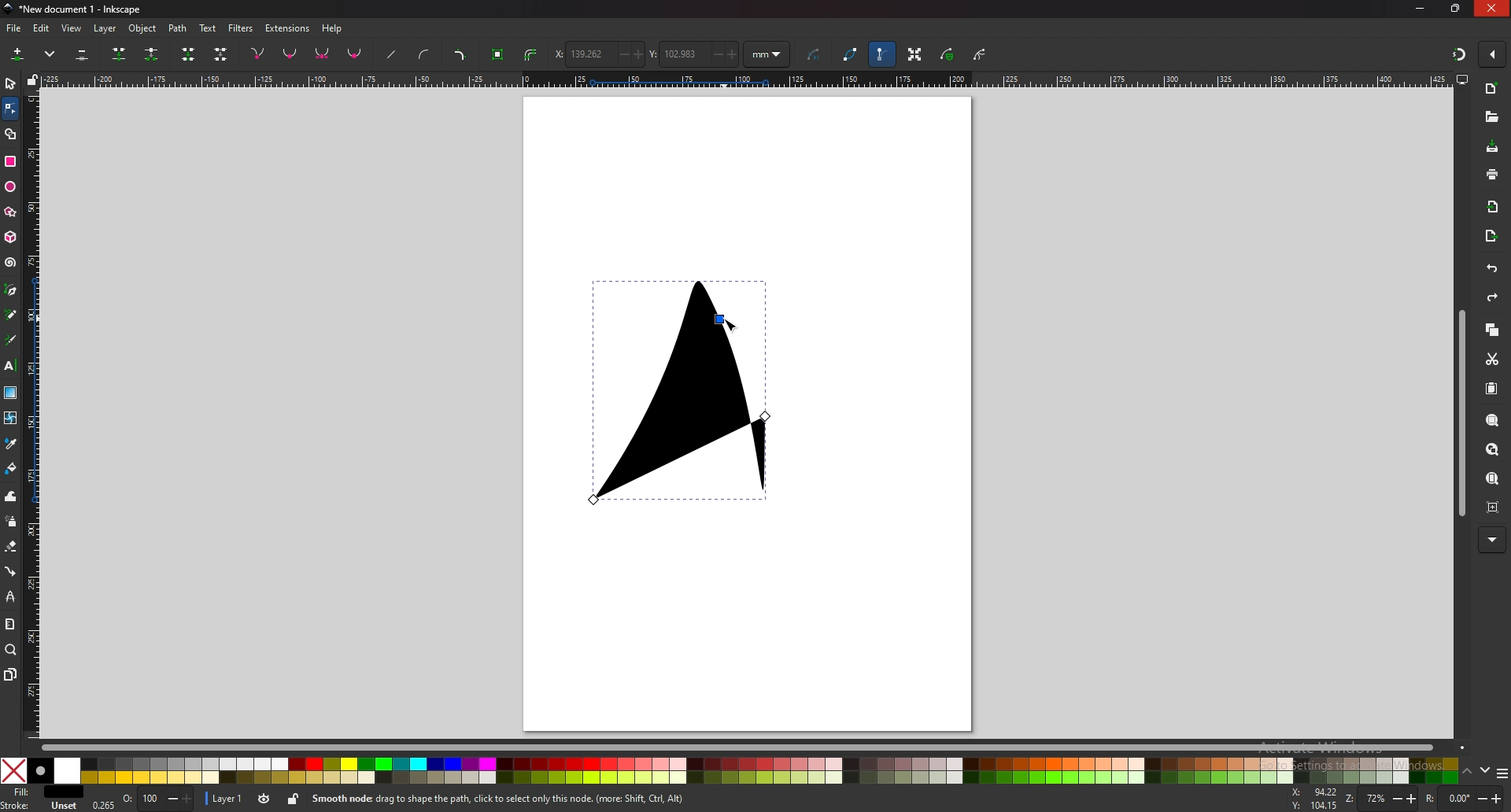  Describe the element at coordinates (10, 675) in the screenshot. I see `pages` at that location.